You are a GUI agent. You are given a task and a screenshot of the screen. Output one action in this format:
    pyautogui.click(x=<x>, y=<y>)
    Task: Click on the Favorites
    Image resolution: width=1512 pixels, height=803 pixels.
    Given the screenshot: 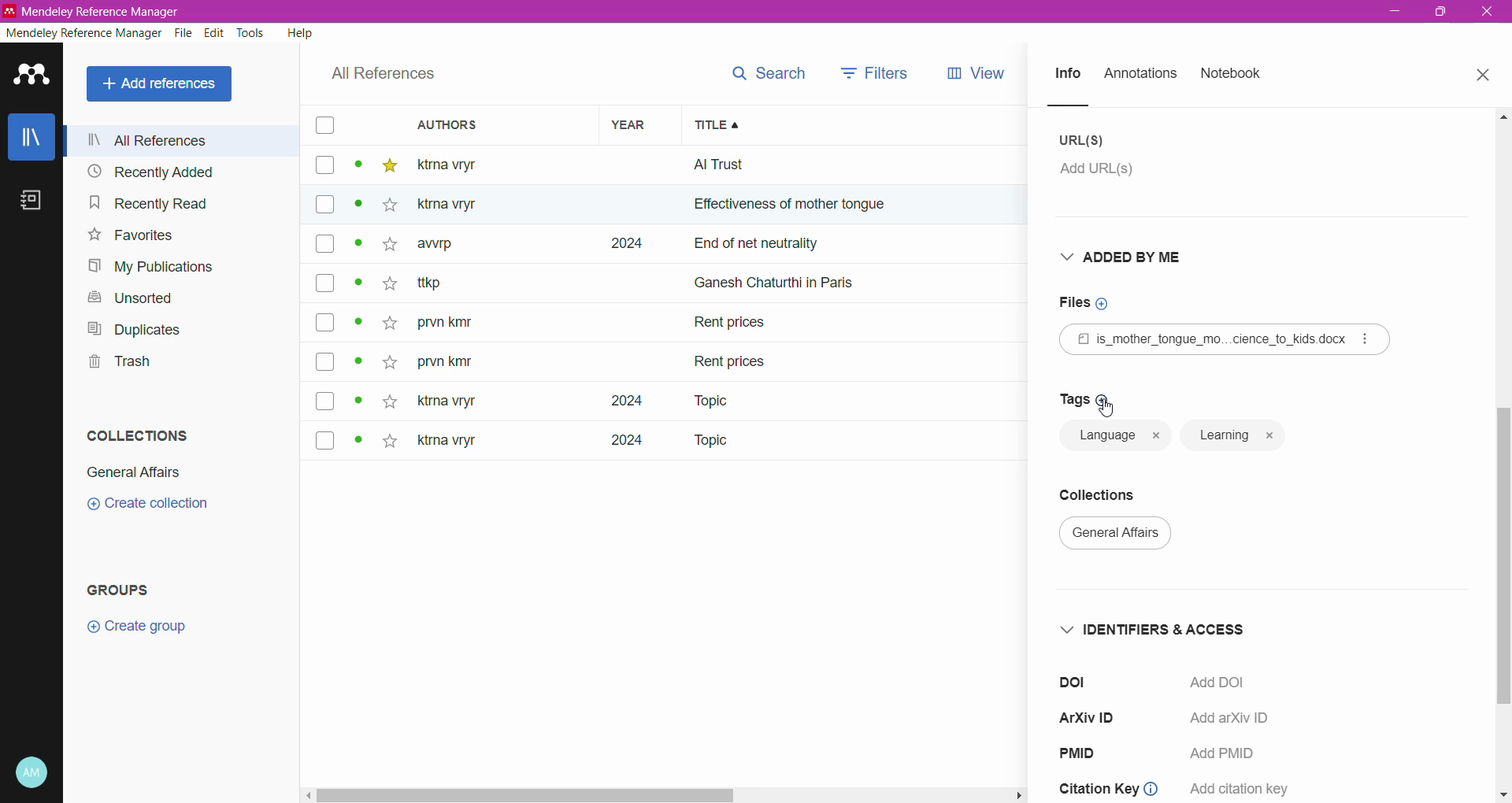 What is the action you would take?
    pyautogui.click(x=132, y=235)
    